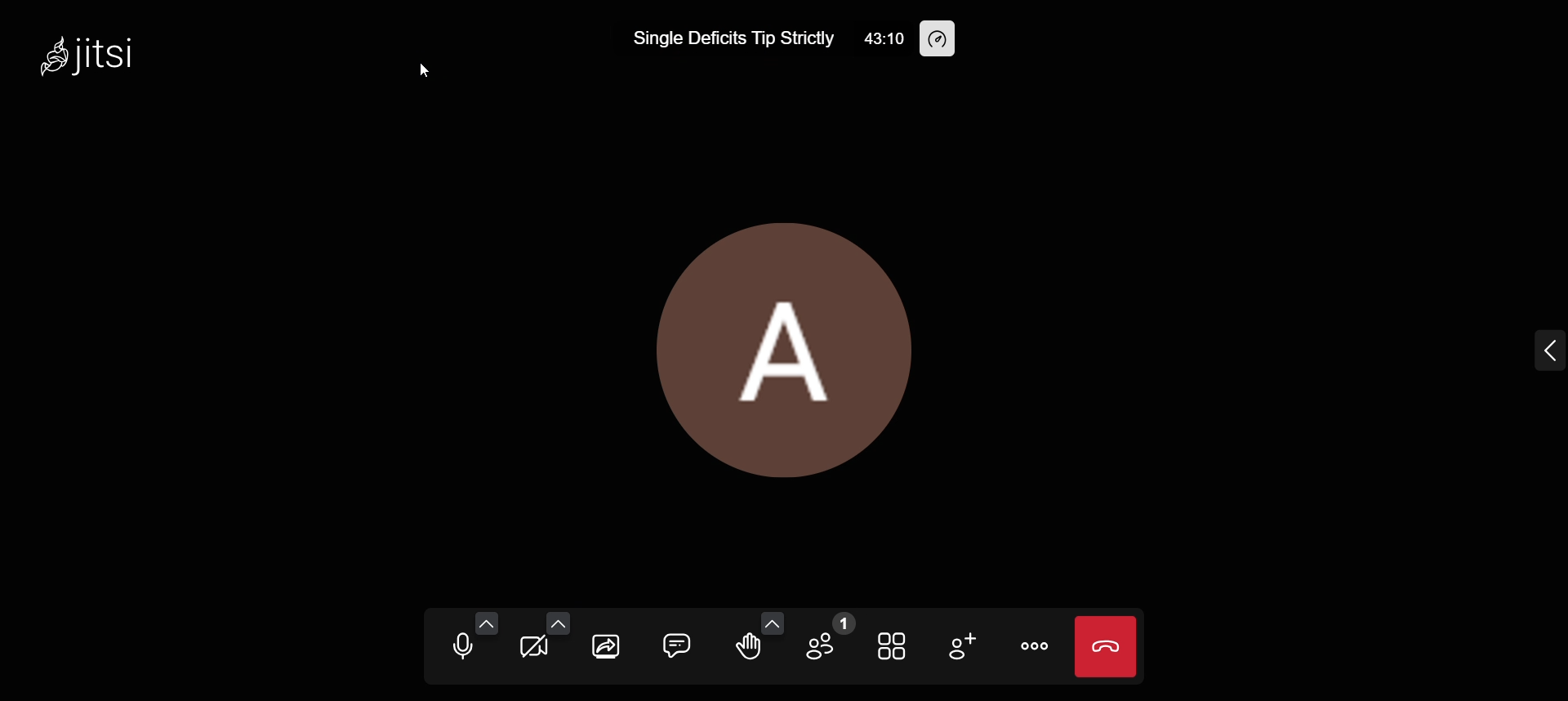  Describe the element at coordinates (461, 650) in the screenshot. I see `mute microphone` at that location.